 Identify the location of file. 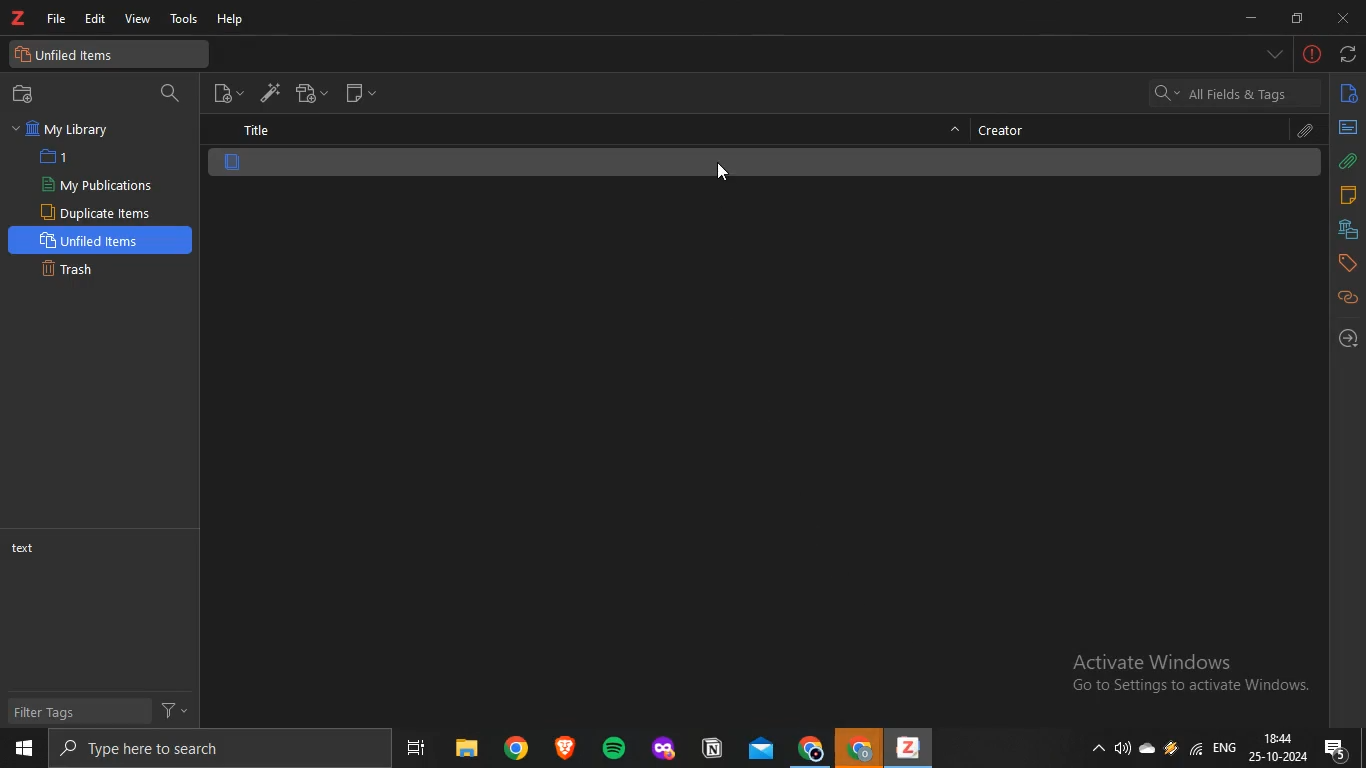
(276, 162).